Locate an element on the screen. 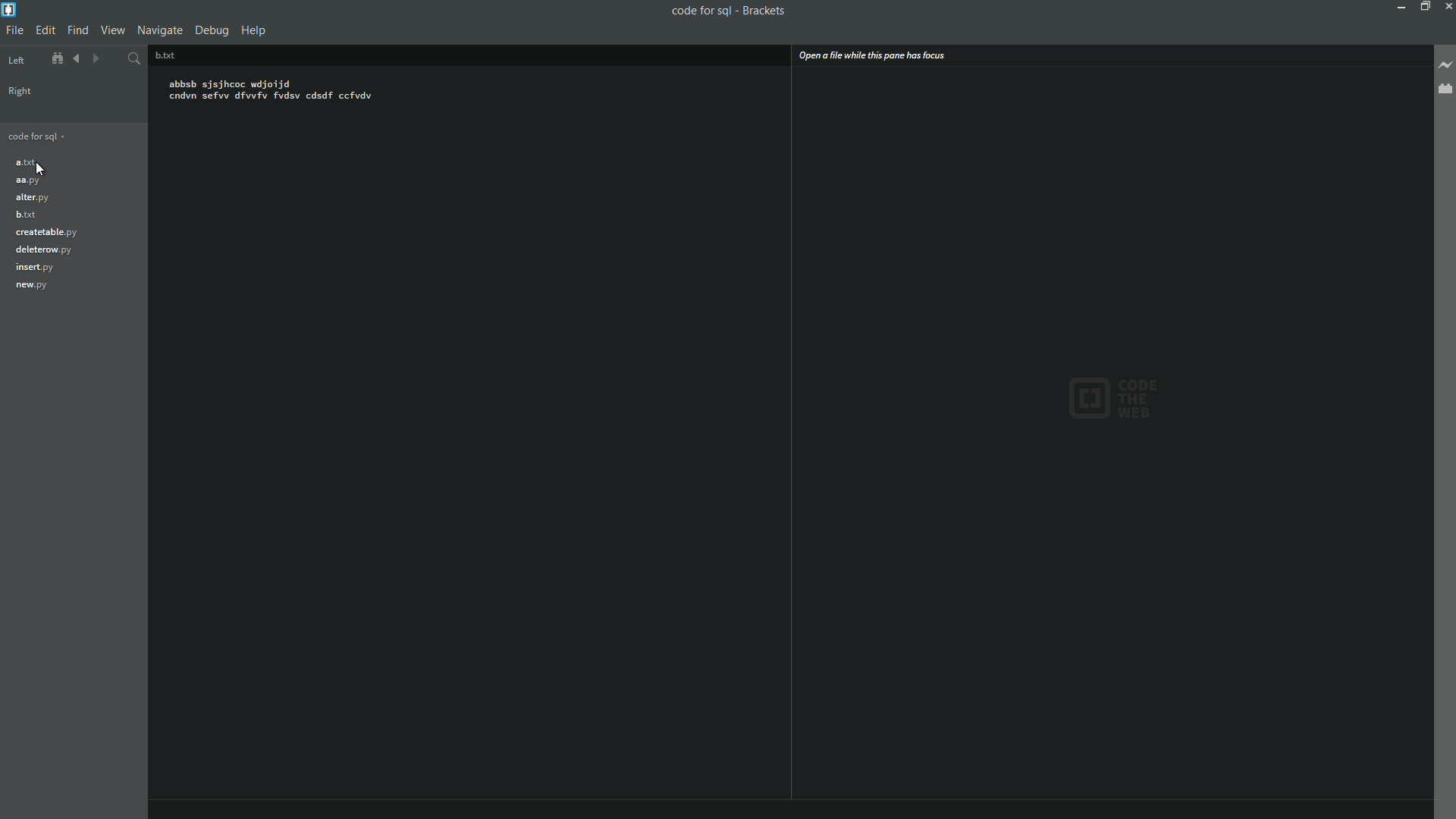  Minimize is located at coordinates (1398, 6).